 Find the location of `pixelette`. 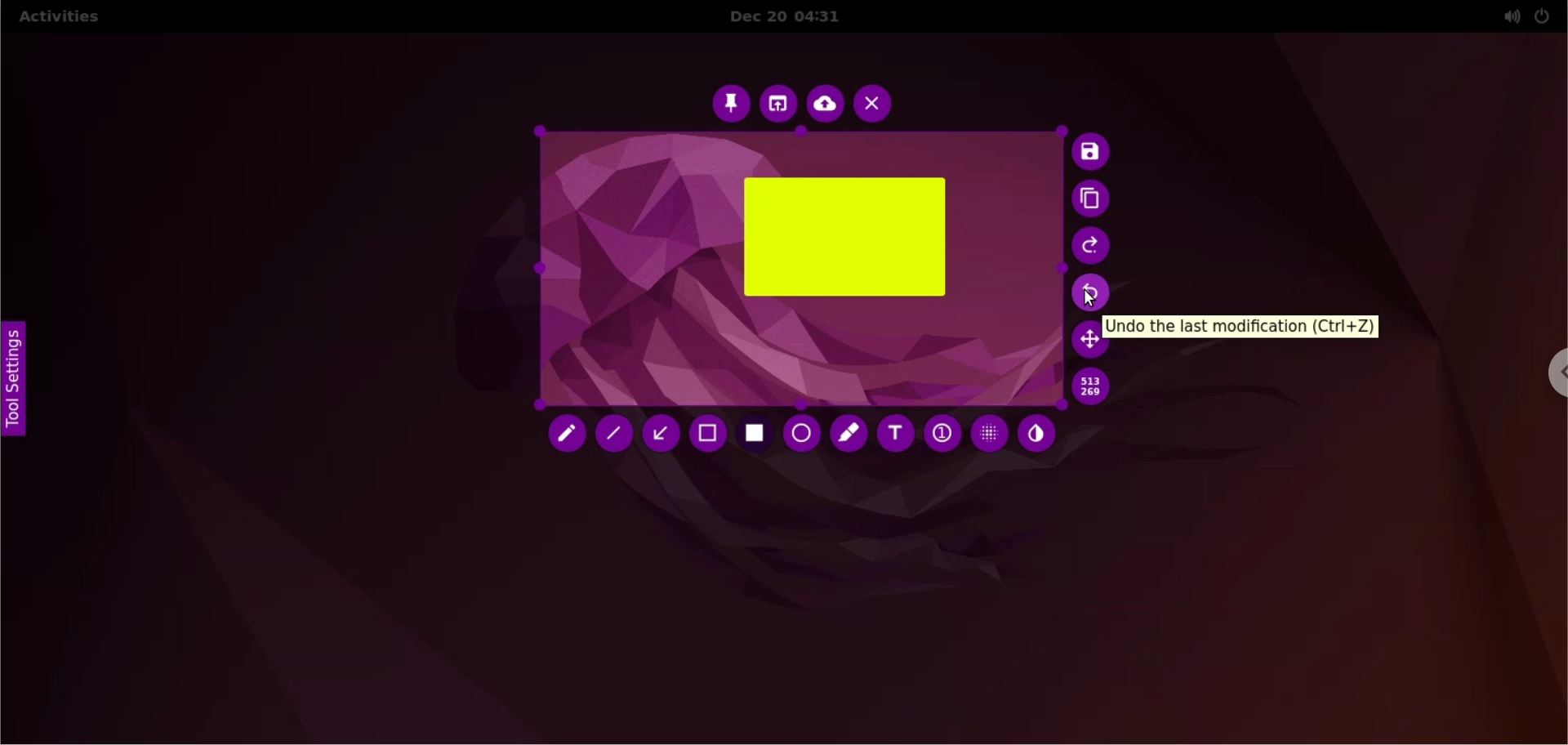

pixelette is located at coordinates (989, 434).